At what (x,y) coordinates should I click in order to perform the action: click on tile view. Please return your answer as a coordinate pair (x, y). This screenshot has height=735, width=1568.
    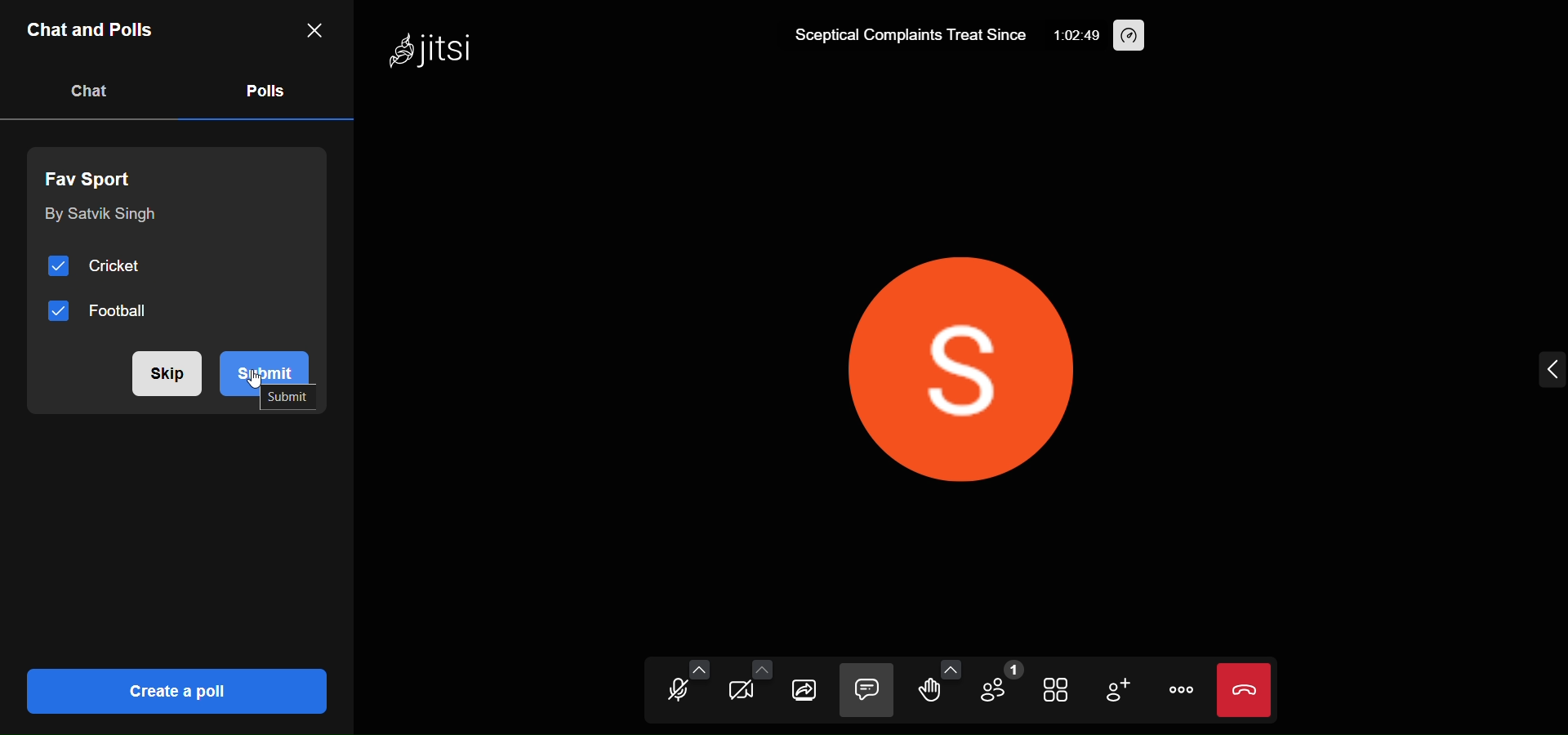
    Looking at the image, I should click on (1058, 692).